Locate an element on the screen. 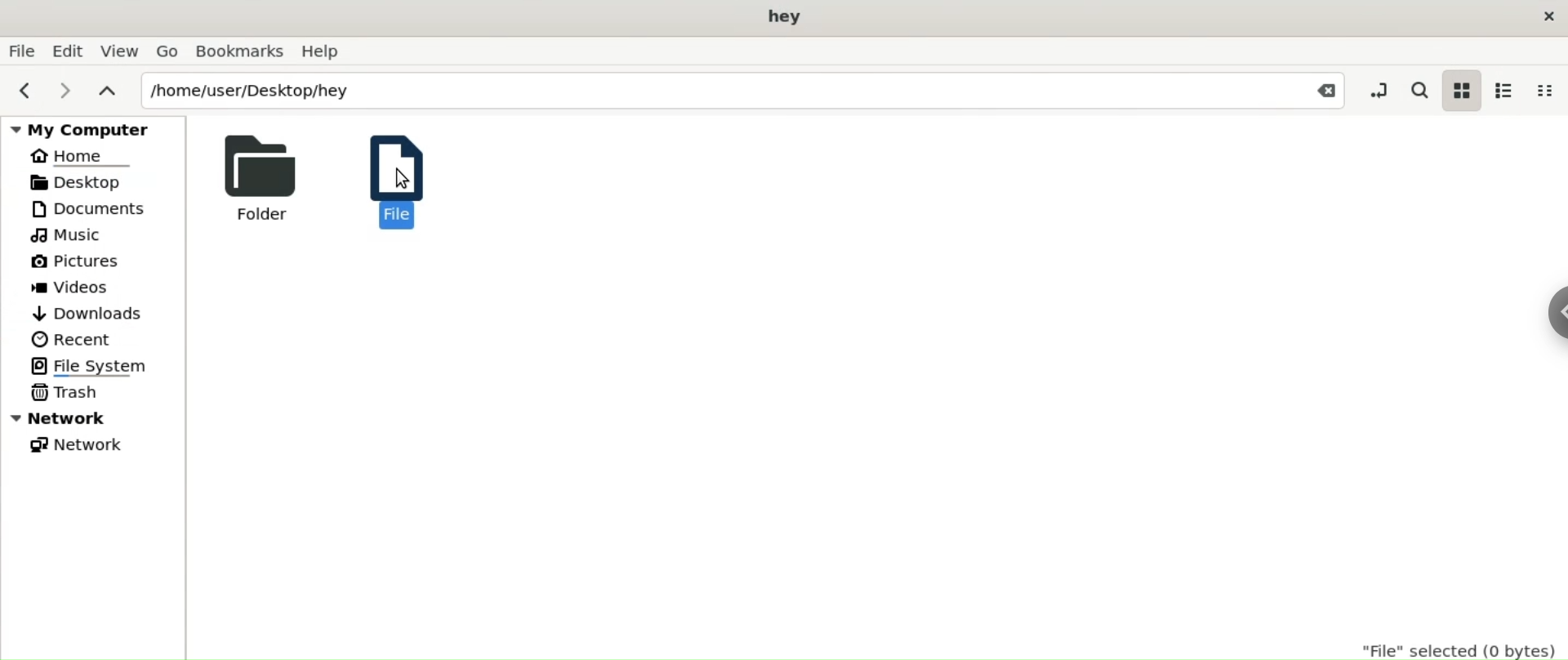  parent folders is located at coordinates (104, 93).